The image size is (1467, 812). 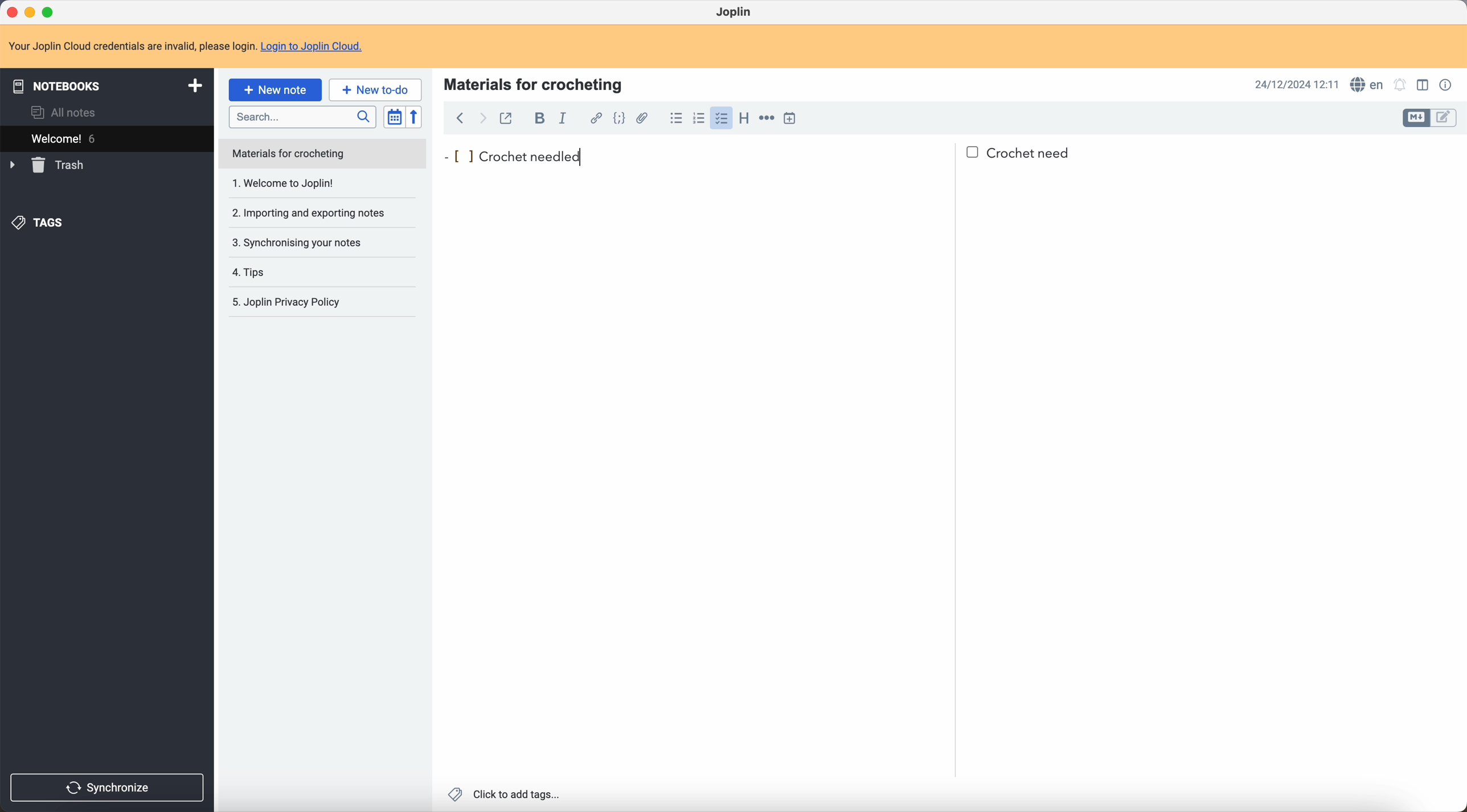 I want to click on toggle edit layout, so click(x=1424, y=84).